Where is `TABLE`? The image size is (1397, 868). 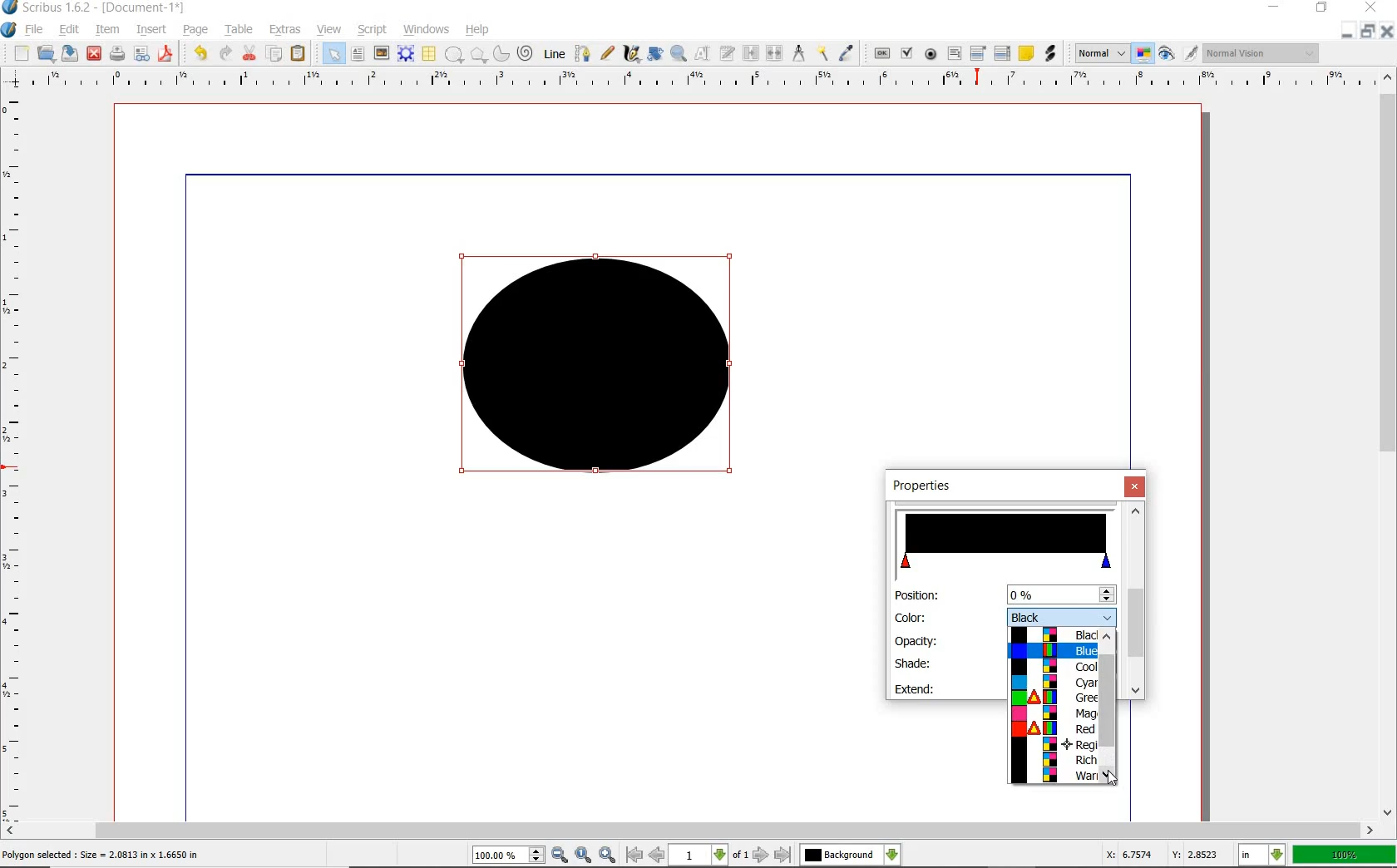 TABLE is located at coordinates (428, 54).